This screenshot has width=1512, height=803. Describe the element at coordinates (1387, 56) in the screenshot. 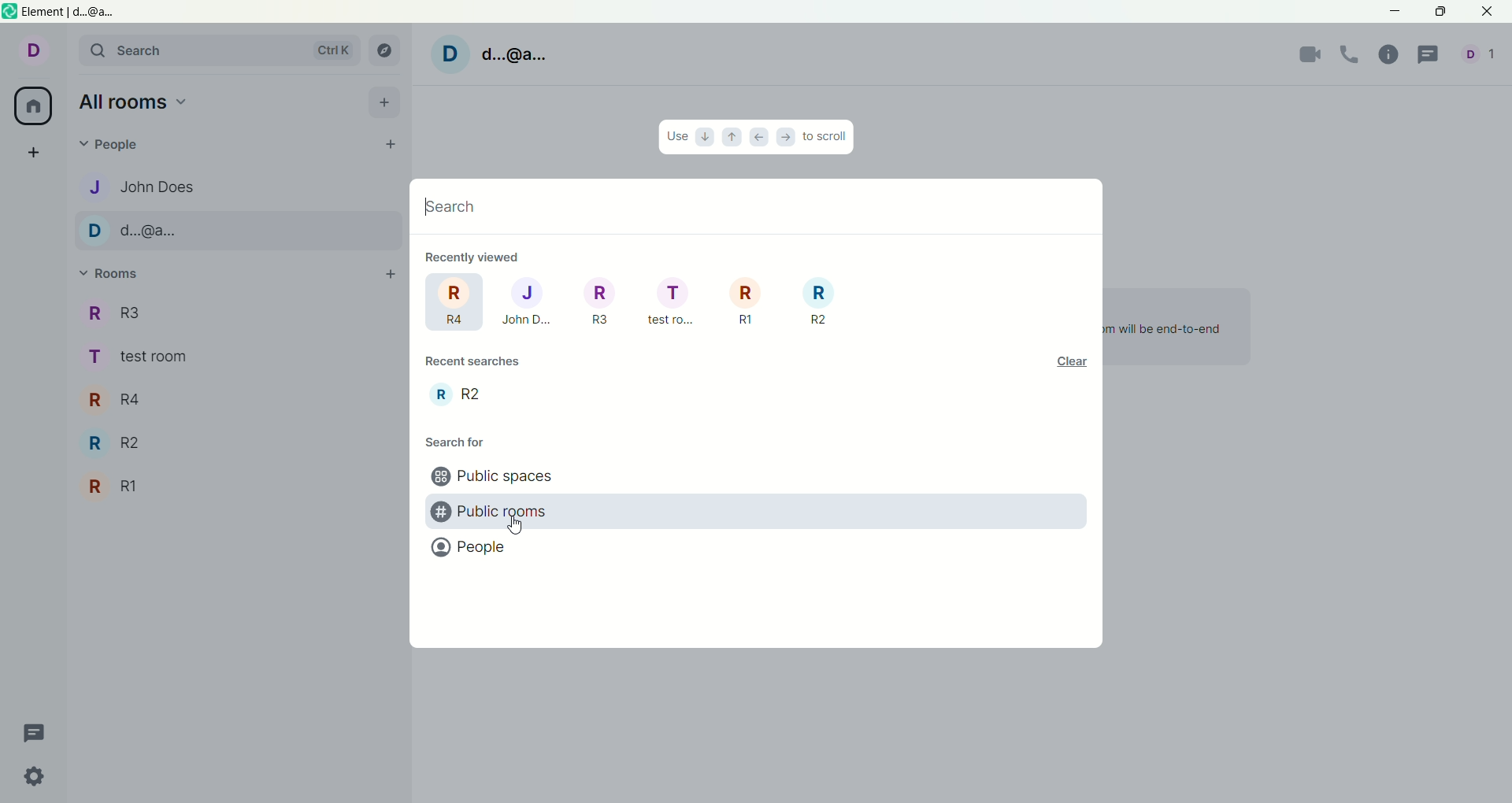

I see `room info` at that location.